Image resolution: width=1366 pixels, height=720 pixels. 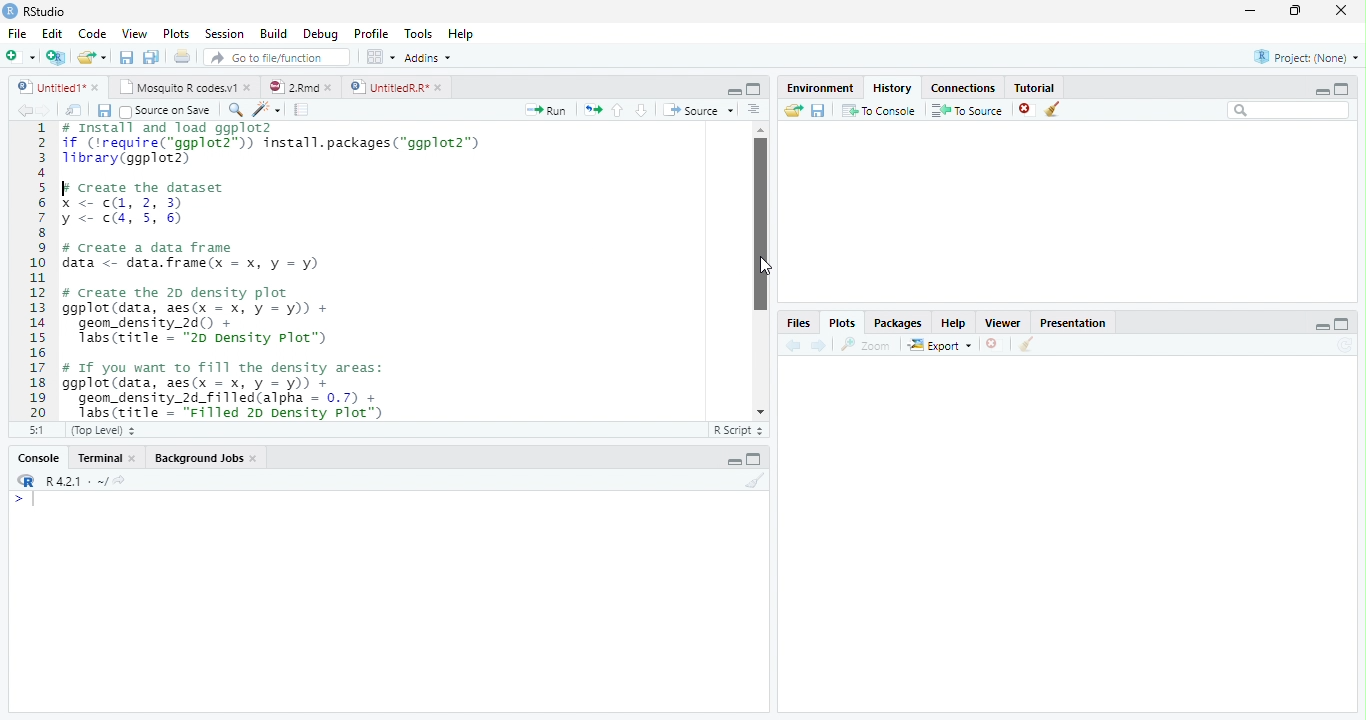 I want to click on Scrollbar up, so click(x=758, y=130).